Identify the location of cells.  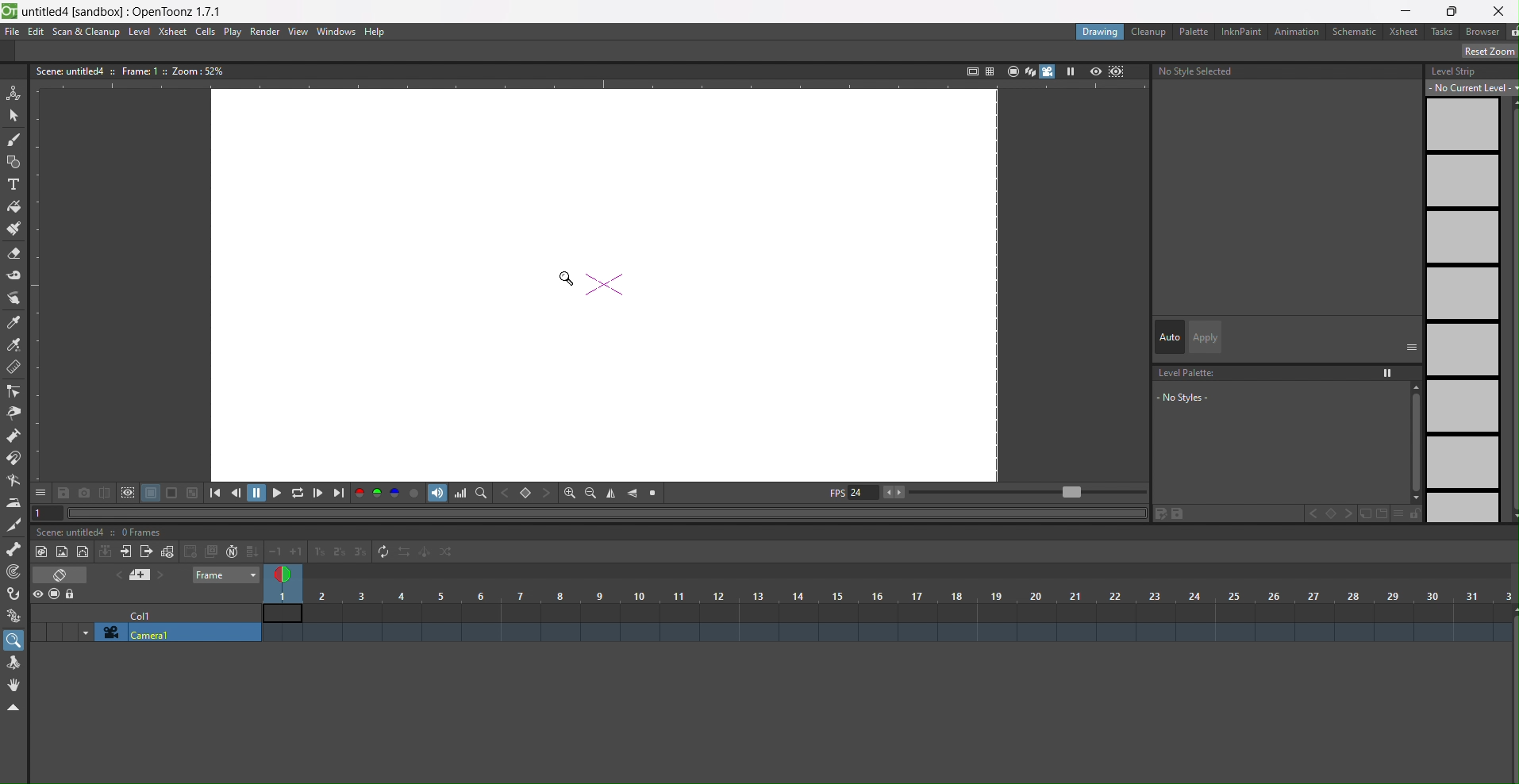
(208, 32).